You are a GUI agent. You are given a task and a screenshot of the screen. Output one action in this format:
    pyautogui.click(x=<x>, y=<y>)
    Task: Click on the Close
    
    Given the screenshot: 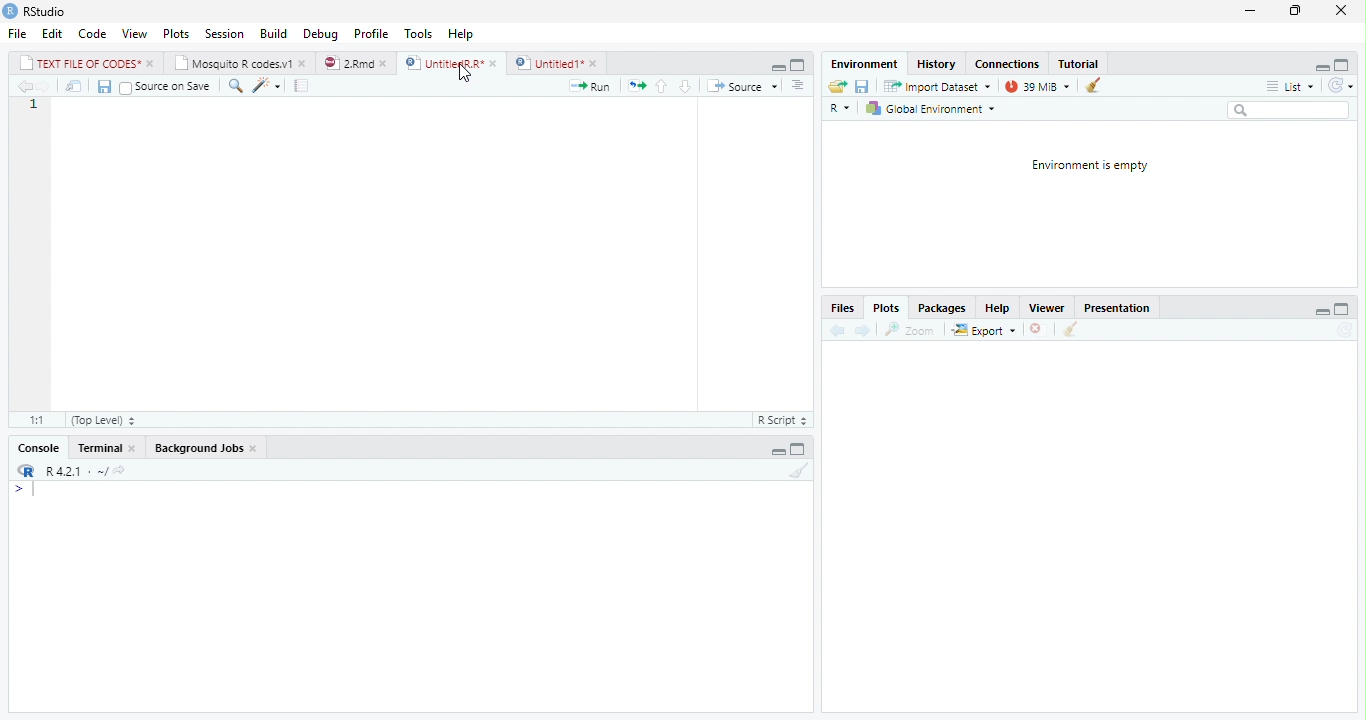 What is the action you would take?
    pyautogui.click(x=1340, y=11)
    